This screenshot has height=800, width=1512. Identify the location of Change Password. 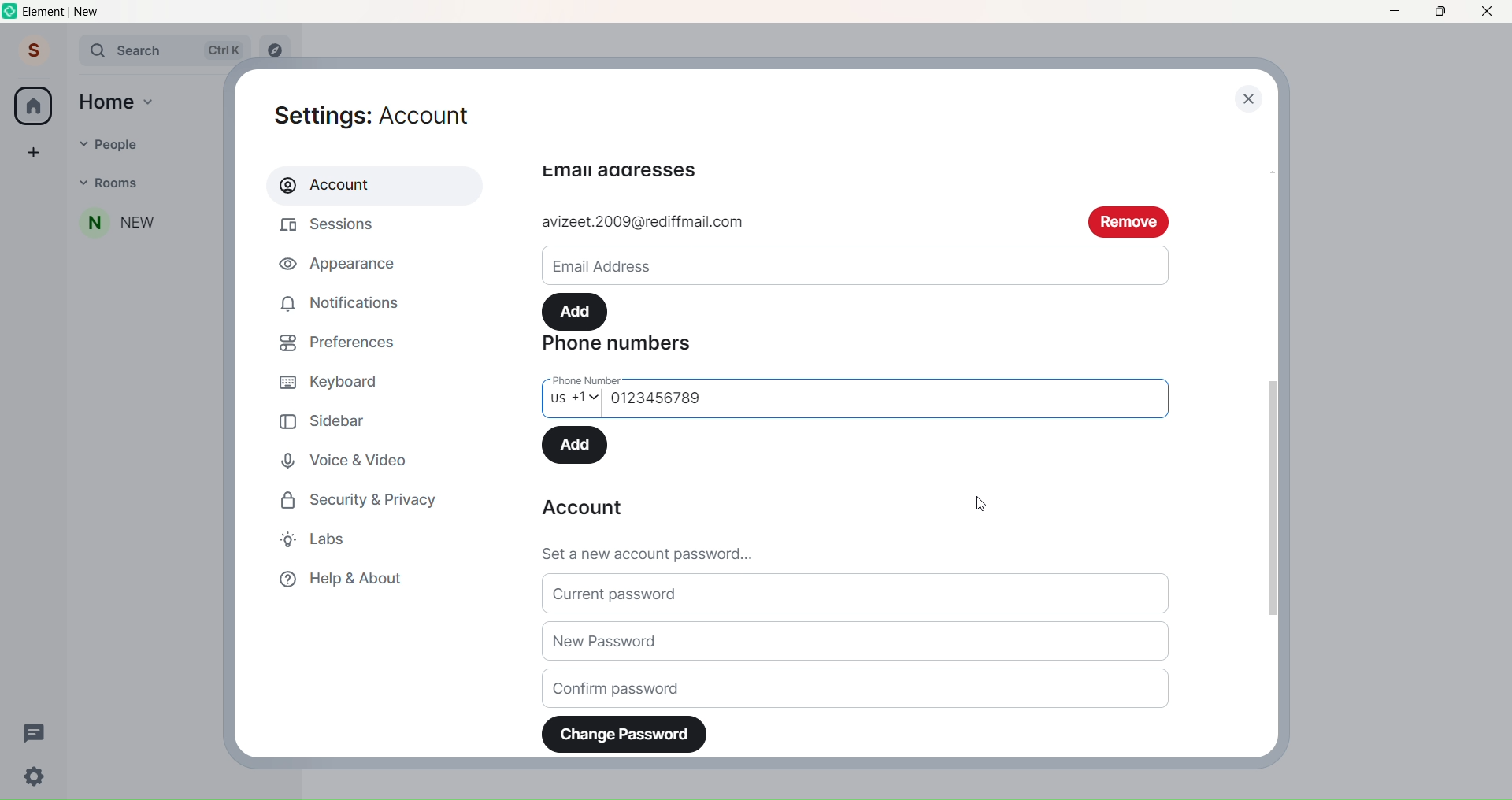
(625, 734).